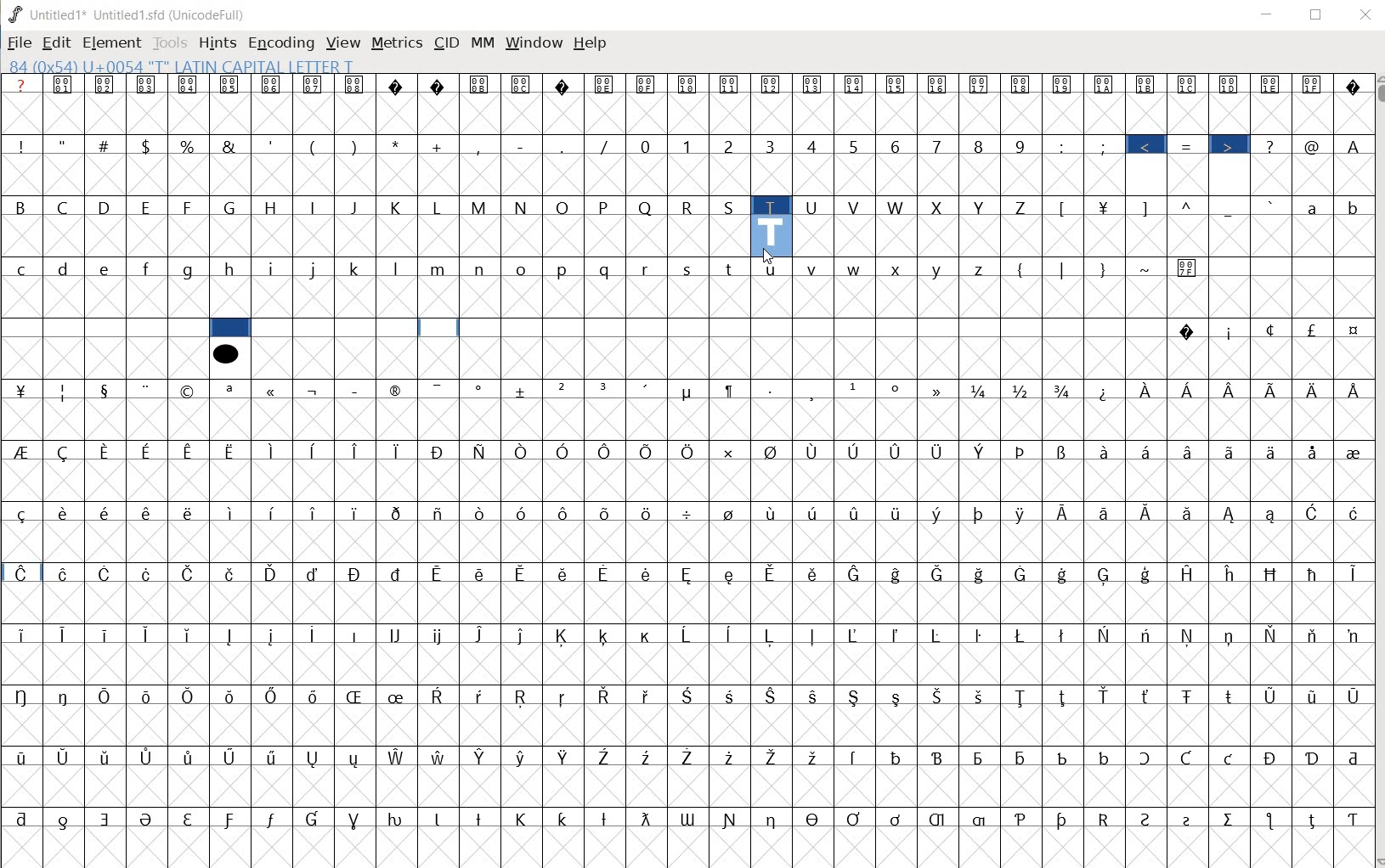 The width and height of the screenshot is (1385, 868). Describe the element at coordinates (189, 392) in the screenshot. I see `Symbol` at that location.